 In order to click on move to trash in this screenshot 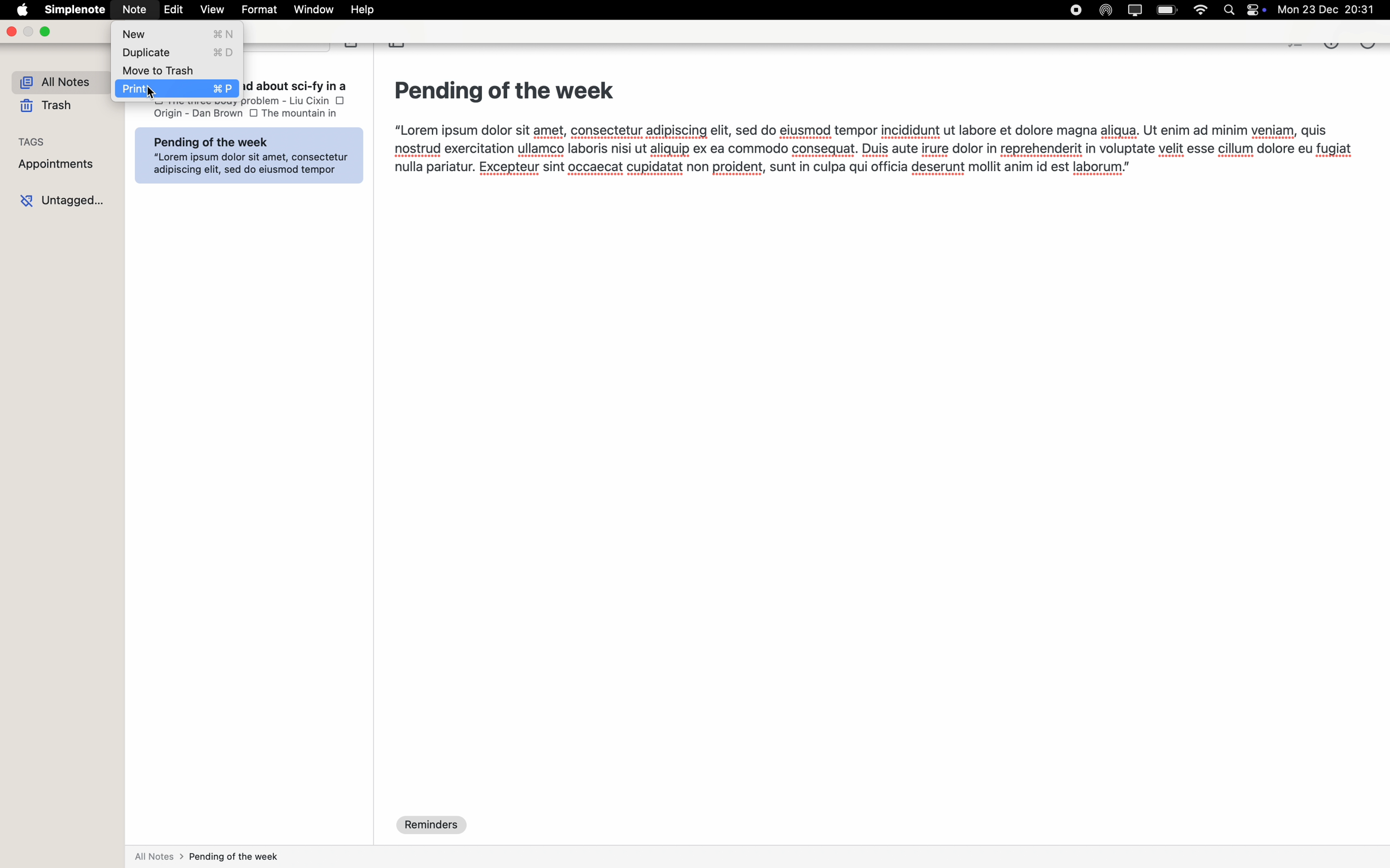, I will do `click(163, 69)`.